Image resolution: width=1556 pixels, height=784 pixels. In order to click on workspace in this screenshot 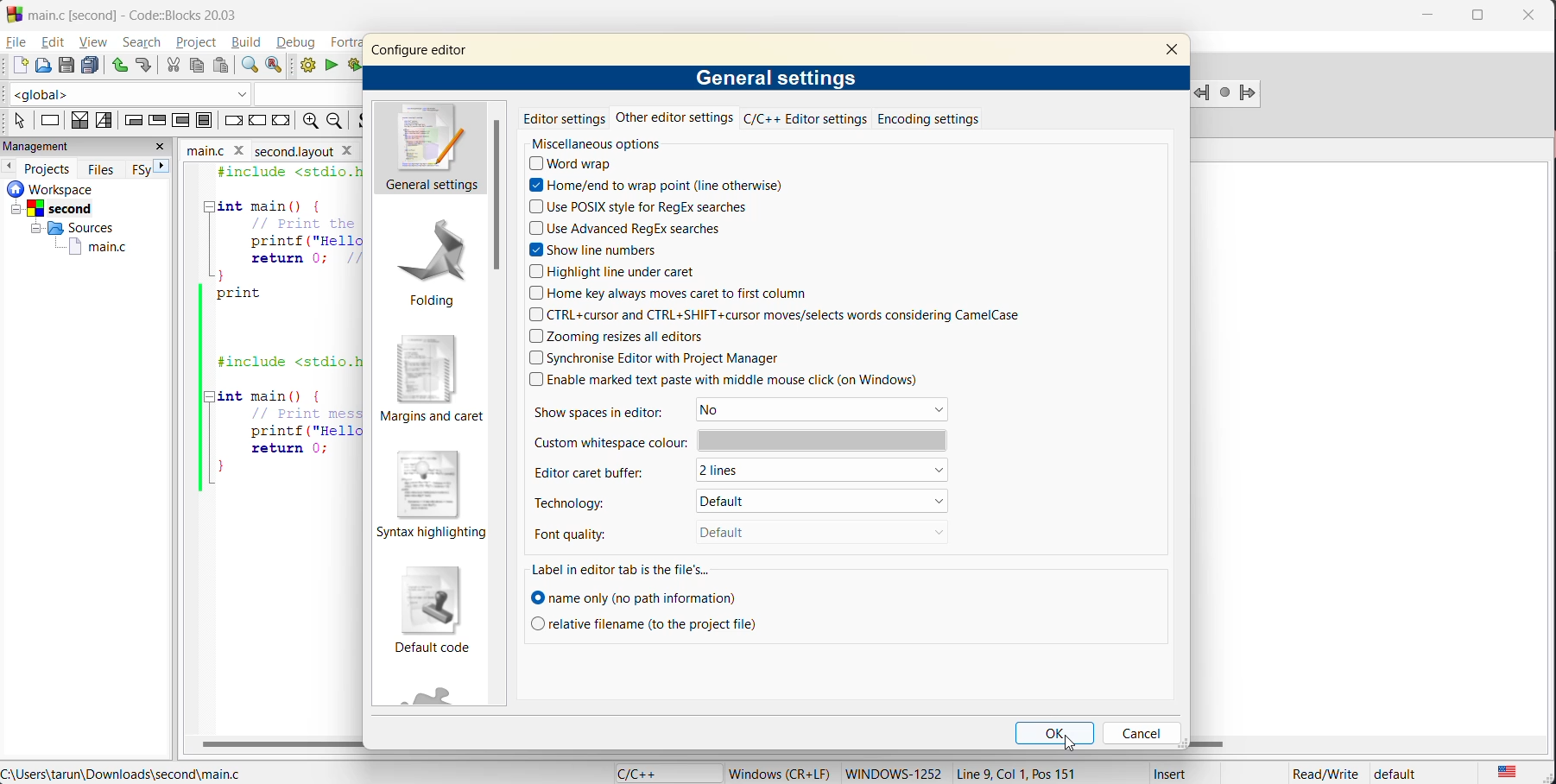, I will do `click(78, 188)`.